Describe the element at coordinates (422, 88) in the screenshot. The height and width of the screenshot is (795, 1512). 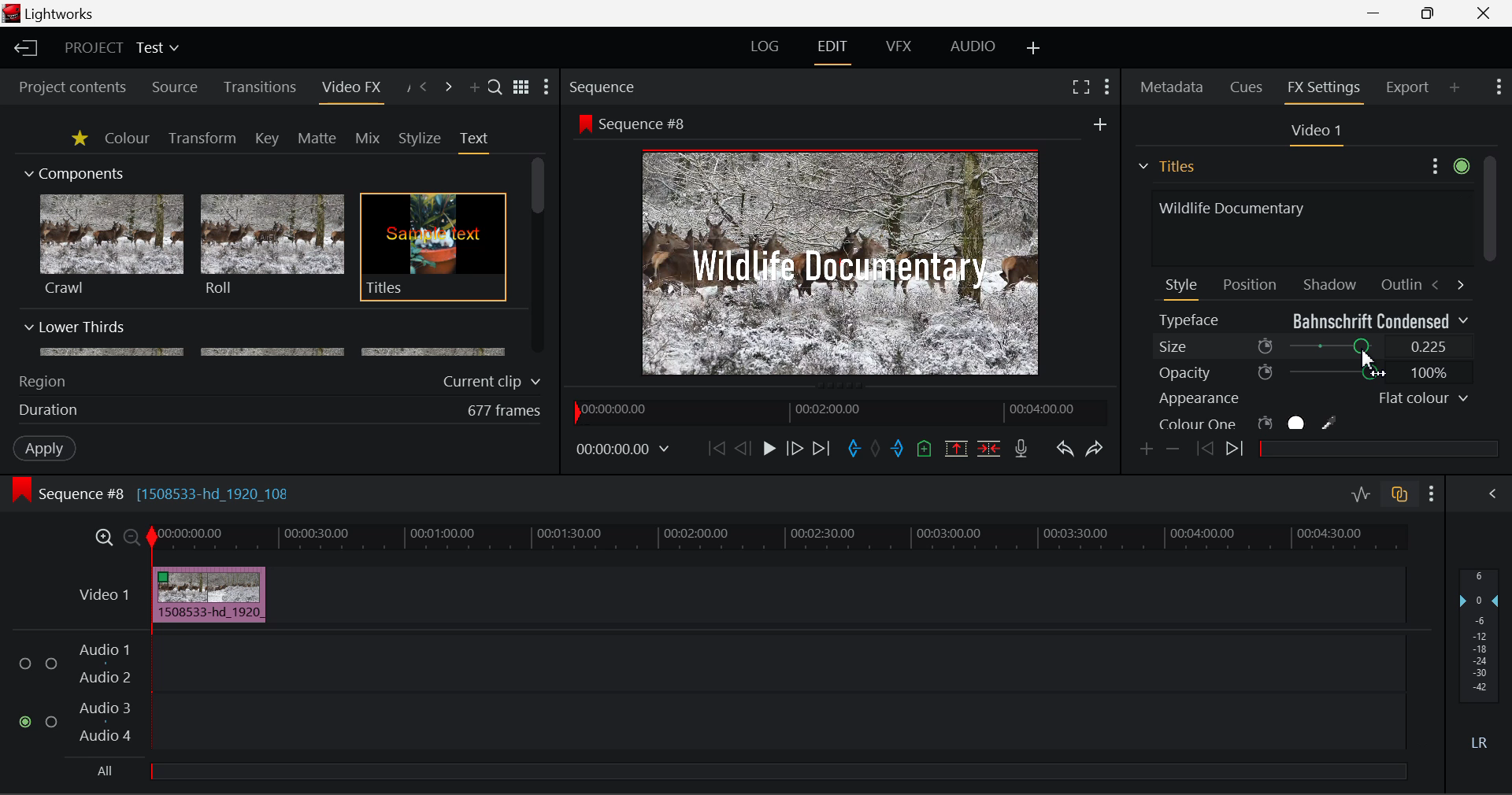
I see `Previous Panel` at that location.